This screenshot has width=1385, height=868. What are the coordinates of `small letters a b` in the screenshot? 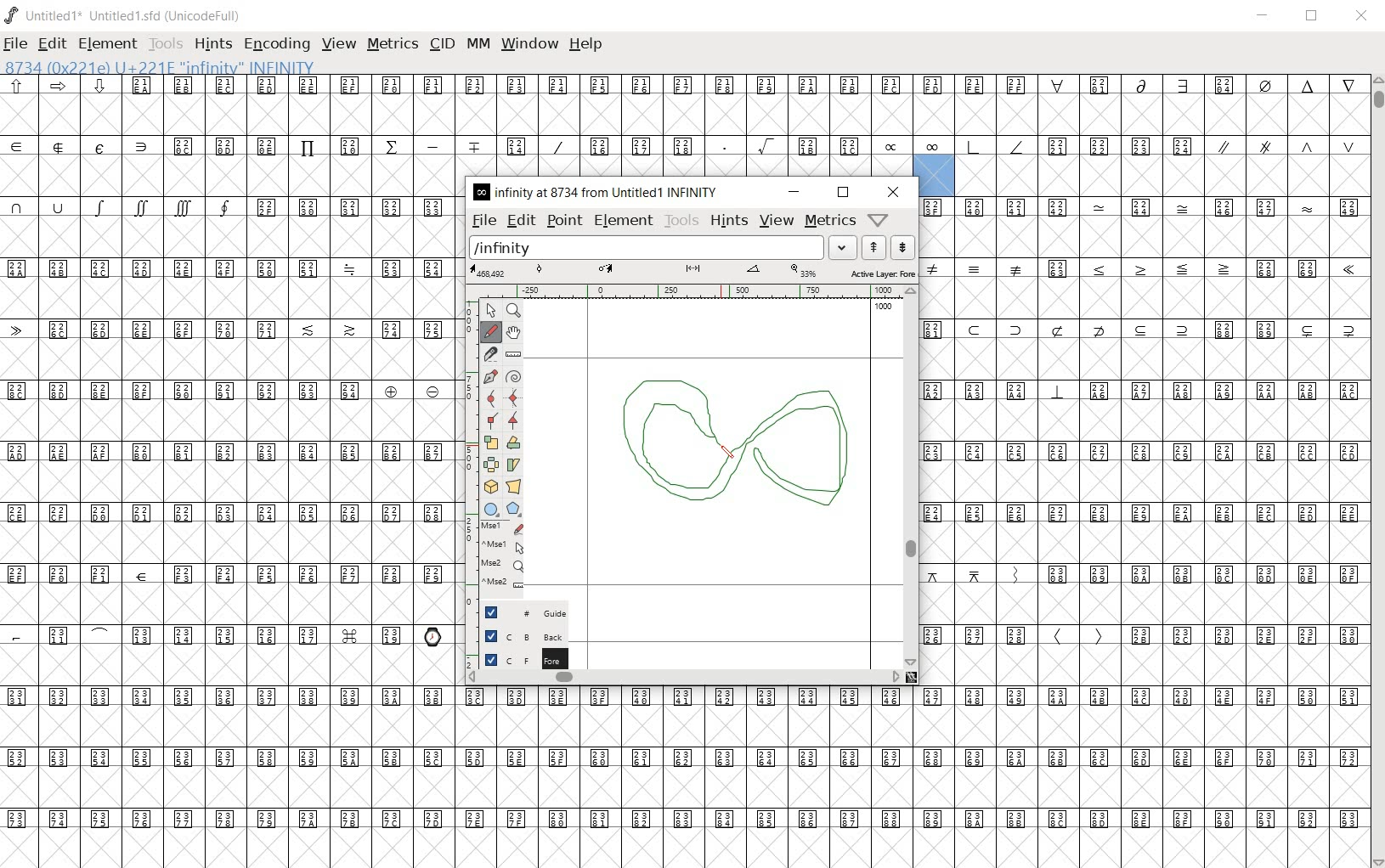 It's located at (1354, 206).